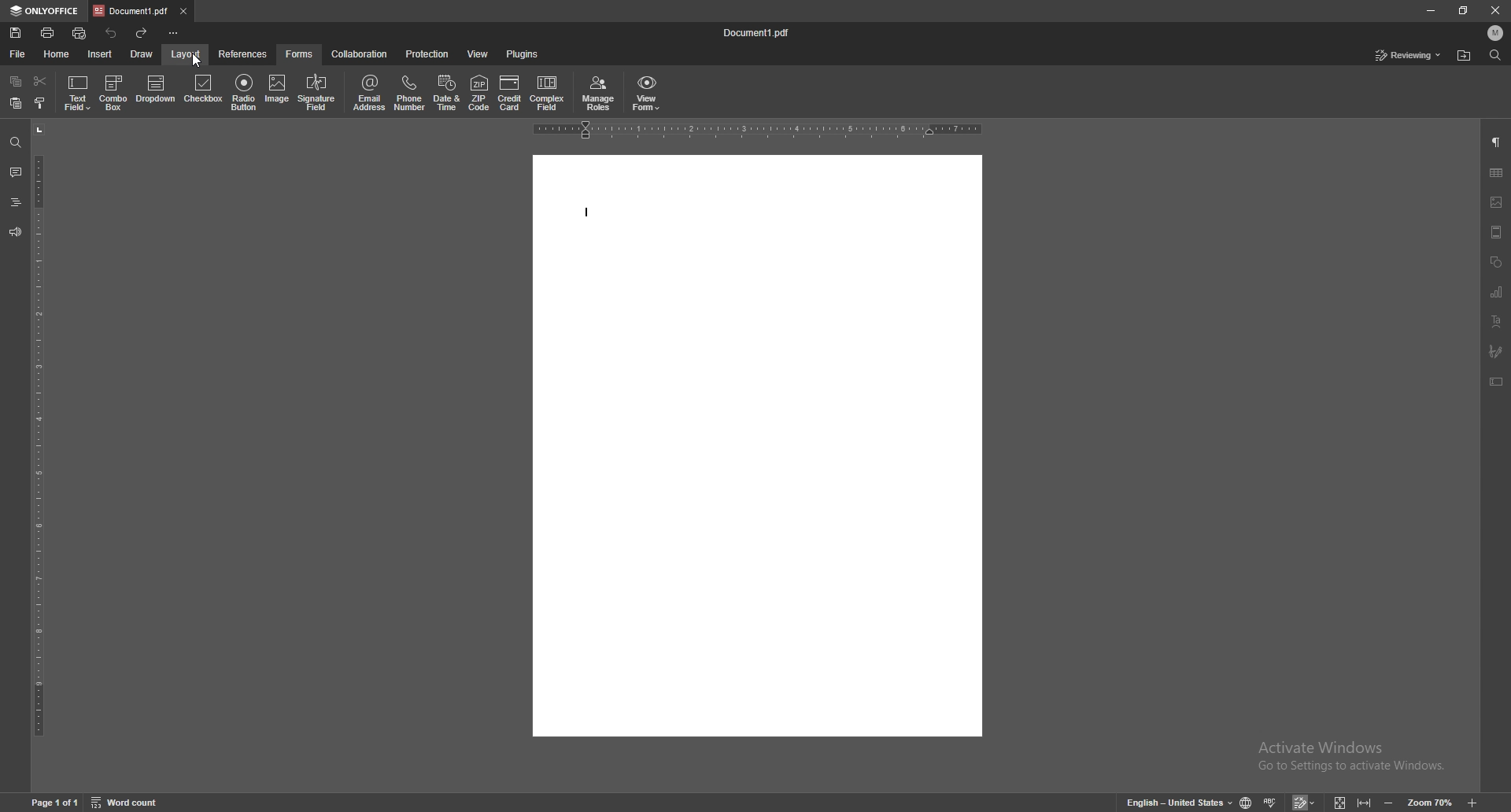 The image size is (1511, 812). I want to click on image, so click(278, 89).